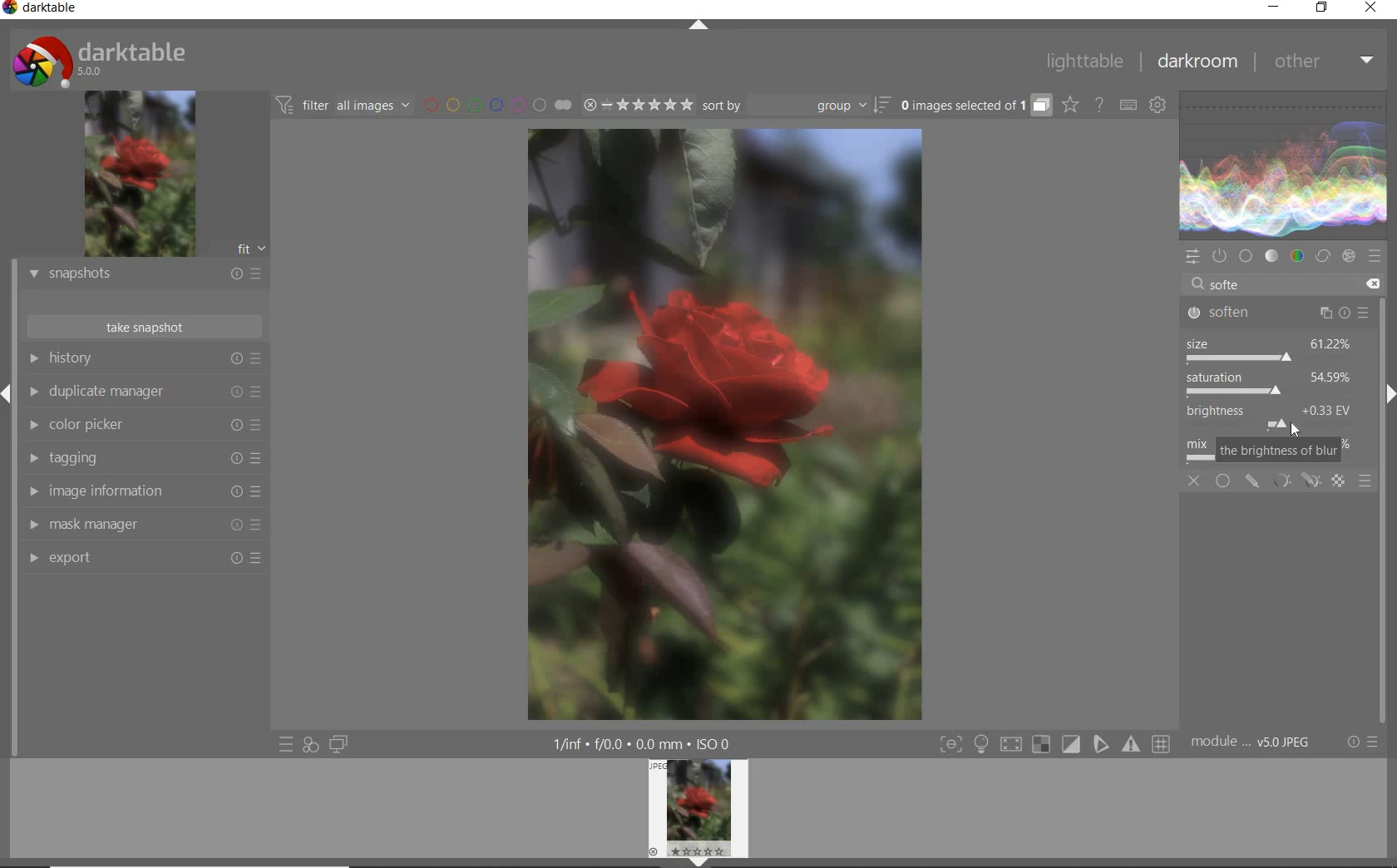  What do you see at coordinates (1278, 384) in the screenshot?
I see `the size of blur` at bounding box center [1278, 384].